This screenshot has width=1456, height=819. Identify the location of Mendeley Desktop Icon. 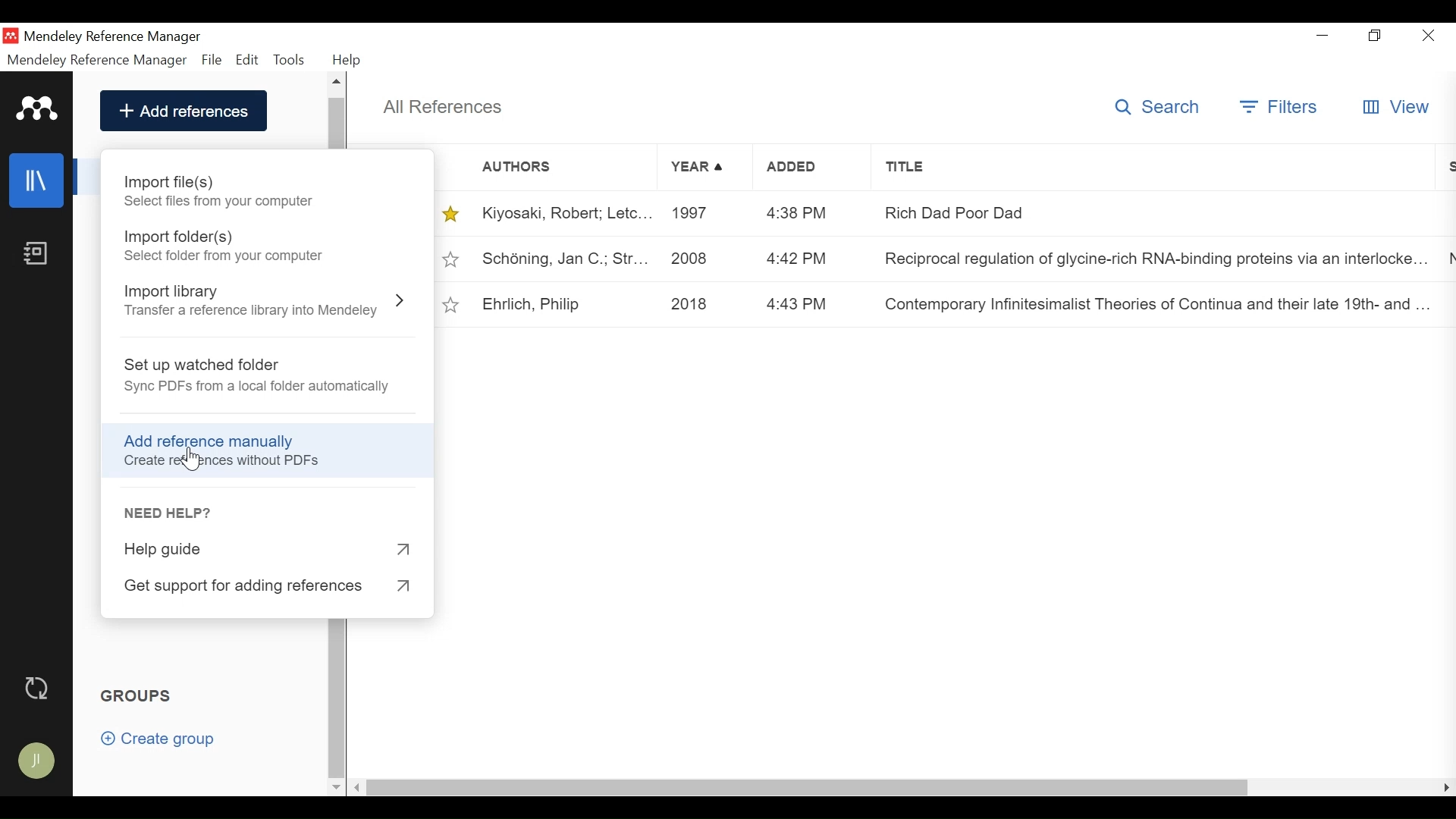
(11, 35).